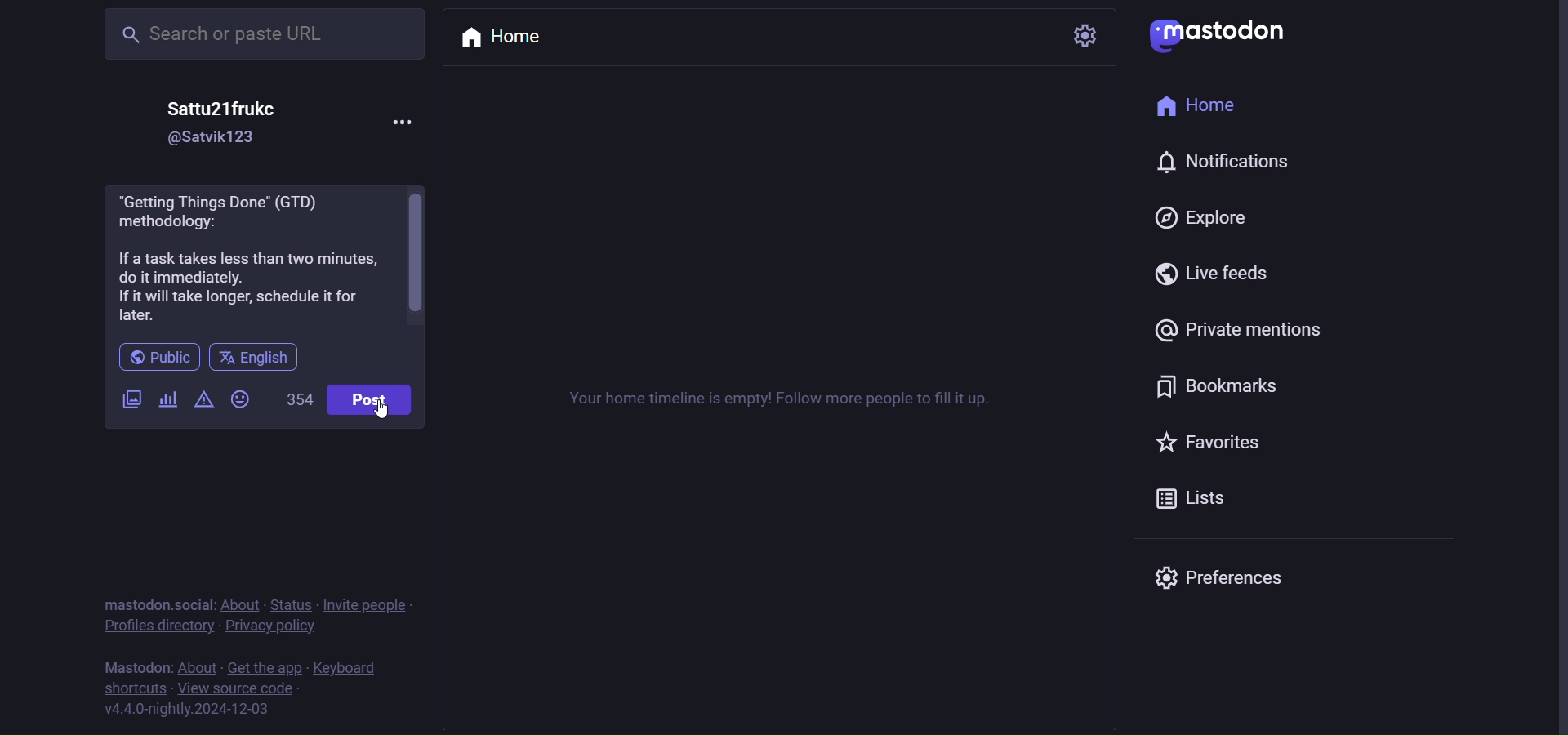  What do you see at coordinates (239, 604) in the screenshot?
I see `about` at bounding box center [239, 604].